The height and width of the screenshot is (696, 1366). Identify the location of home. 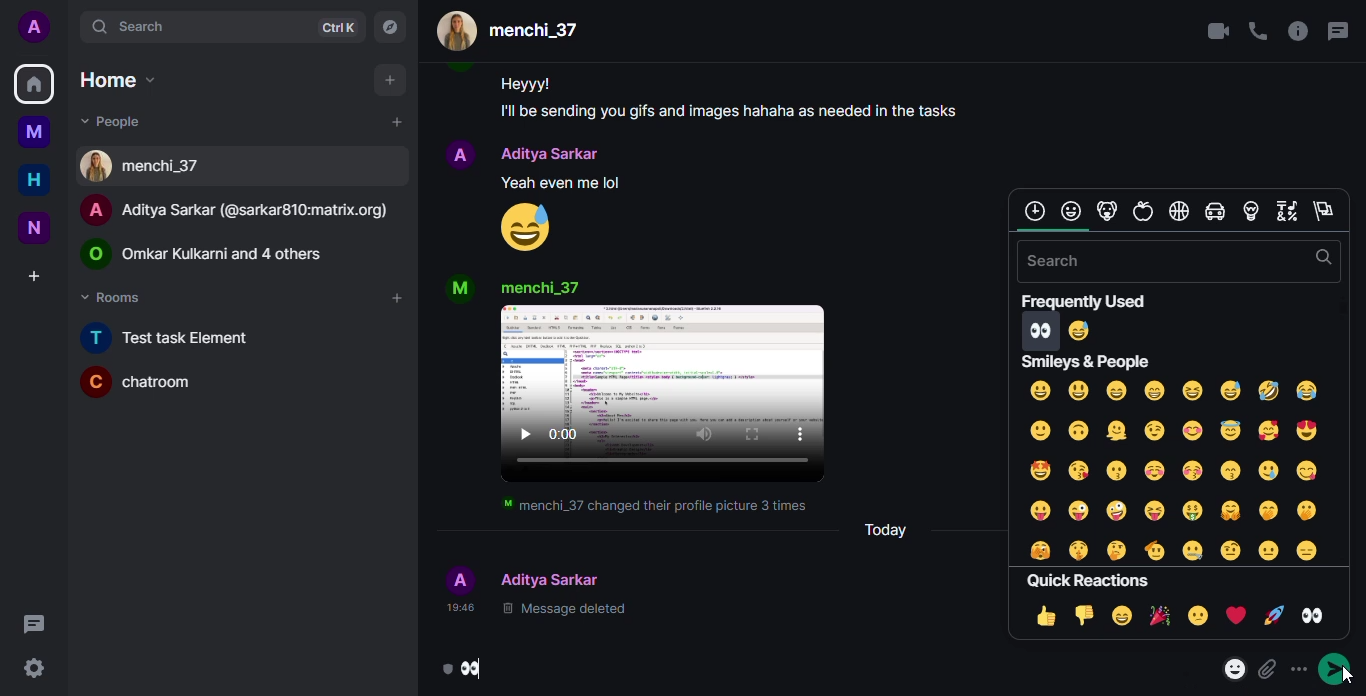
(35, 85).